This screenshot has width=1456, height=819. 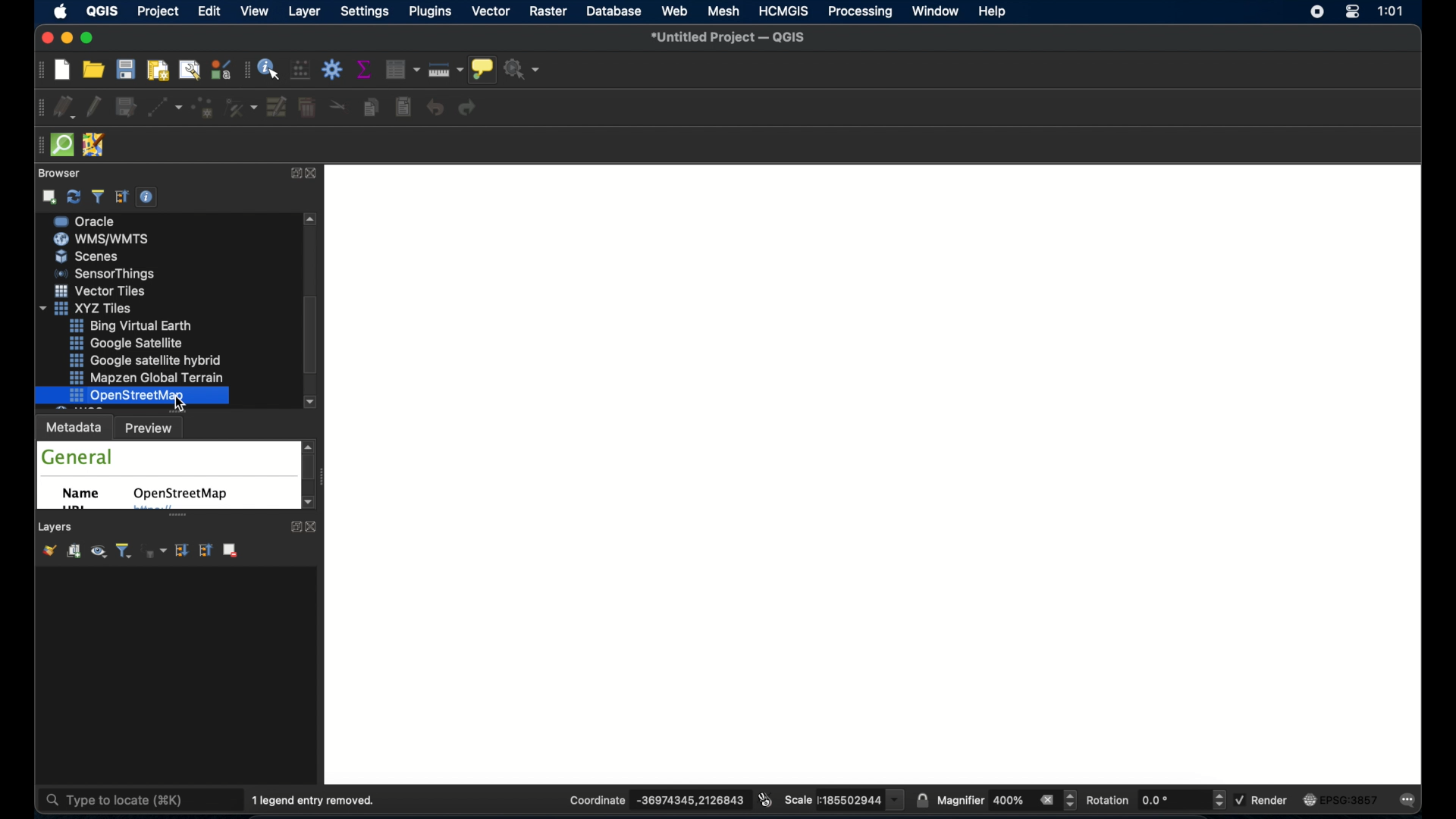 I want to click on xyz tiles, so click(x=139, y=359).